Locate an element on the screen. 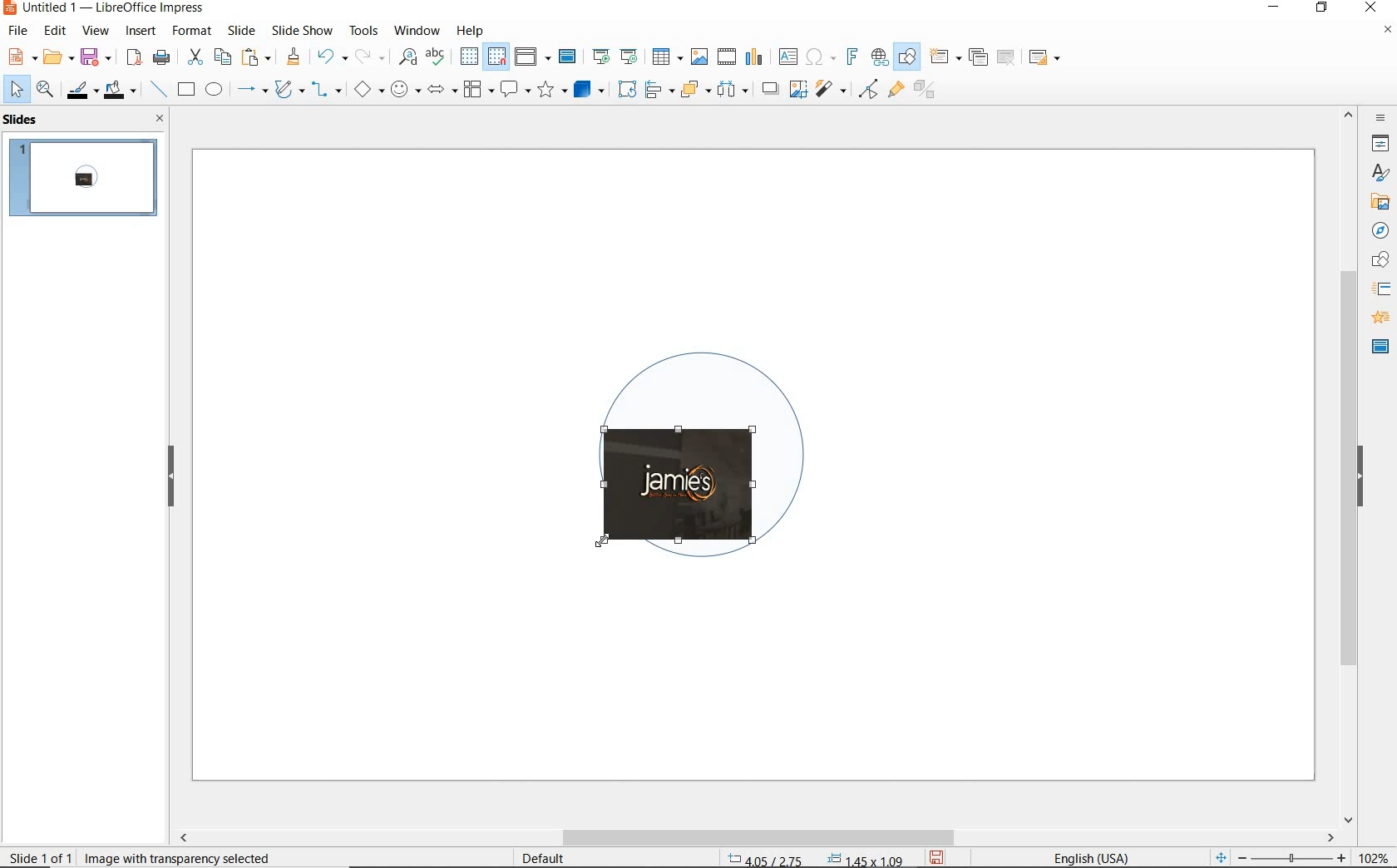 This screenshot has width=1397, height=868. slide transition is located at coordinates (1380, 289).